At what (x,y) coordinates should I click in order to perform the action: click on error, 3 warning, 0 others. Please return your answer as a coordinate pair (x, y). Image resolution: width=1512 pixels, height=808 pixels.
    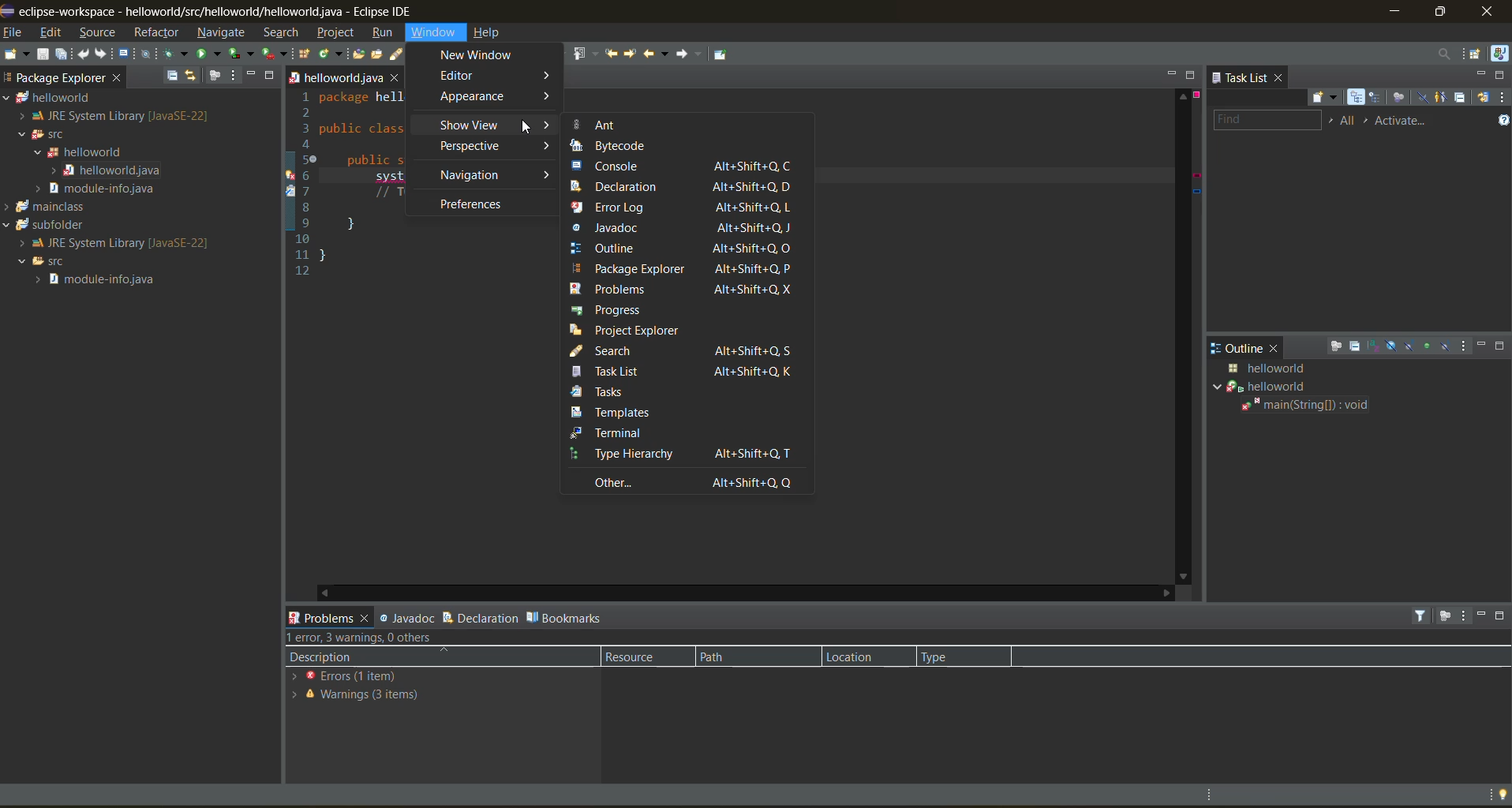
    Looking at the image, I should click on (414, 639).